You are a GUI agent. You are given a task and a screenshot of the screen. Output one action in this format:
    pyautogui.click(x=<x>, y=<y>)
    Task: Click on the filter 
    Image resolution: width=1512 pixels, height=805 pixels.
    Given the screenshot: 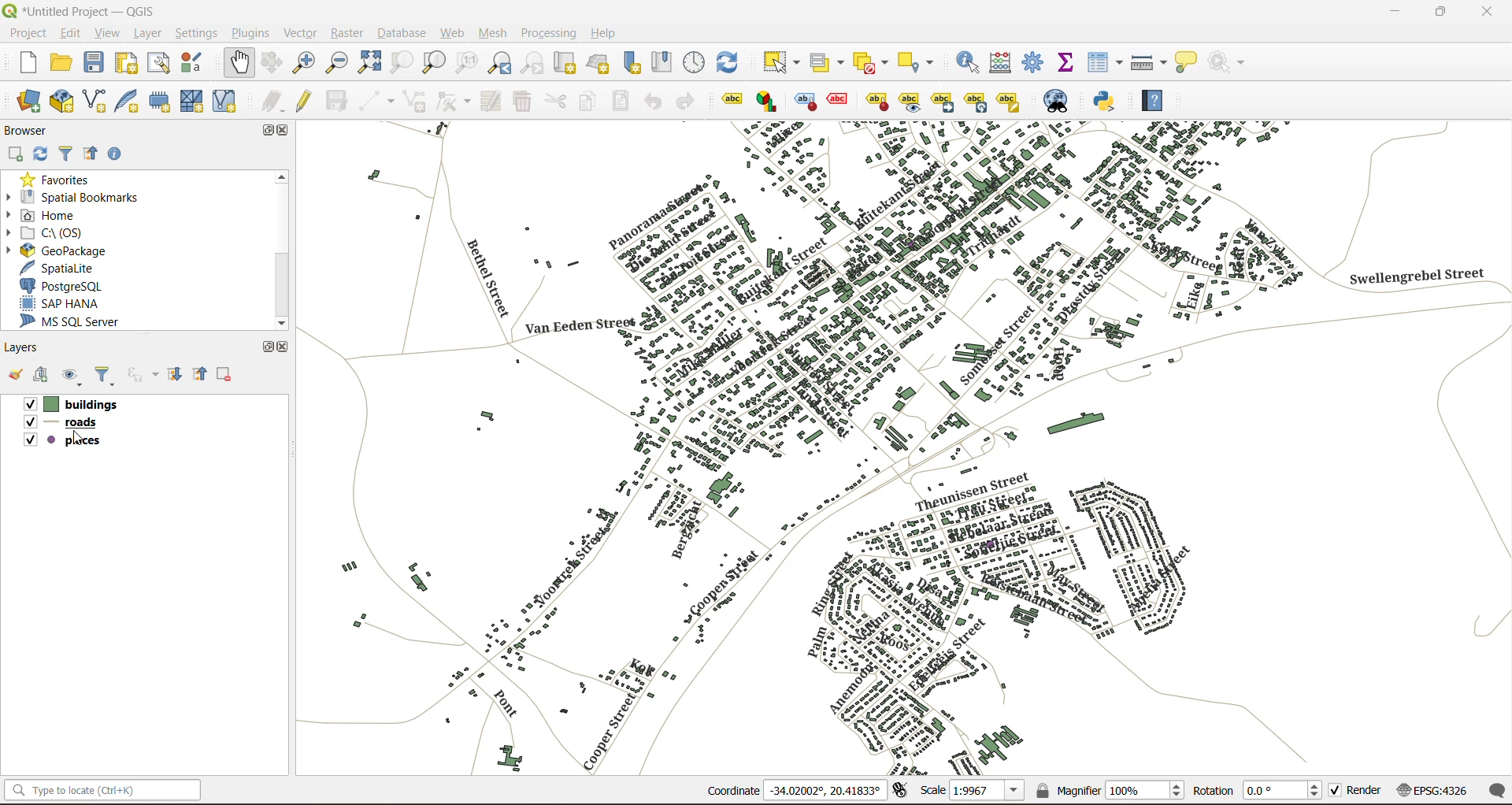 What is the action you would take?
    pyautogui.click(x=106, y=377)
    